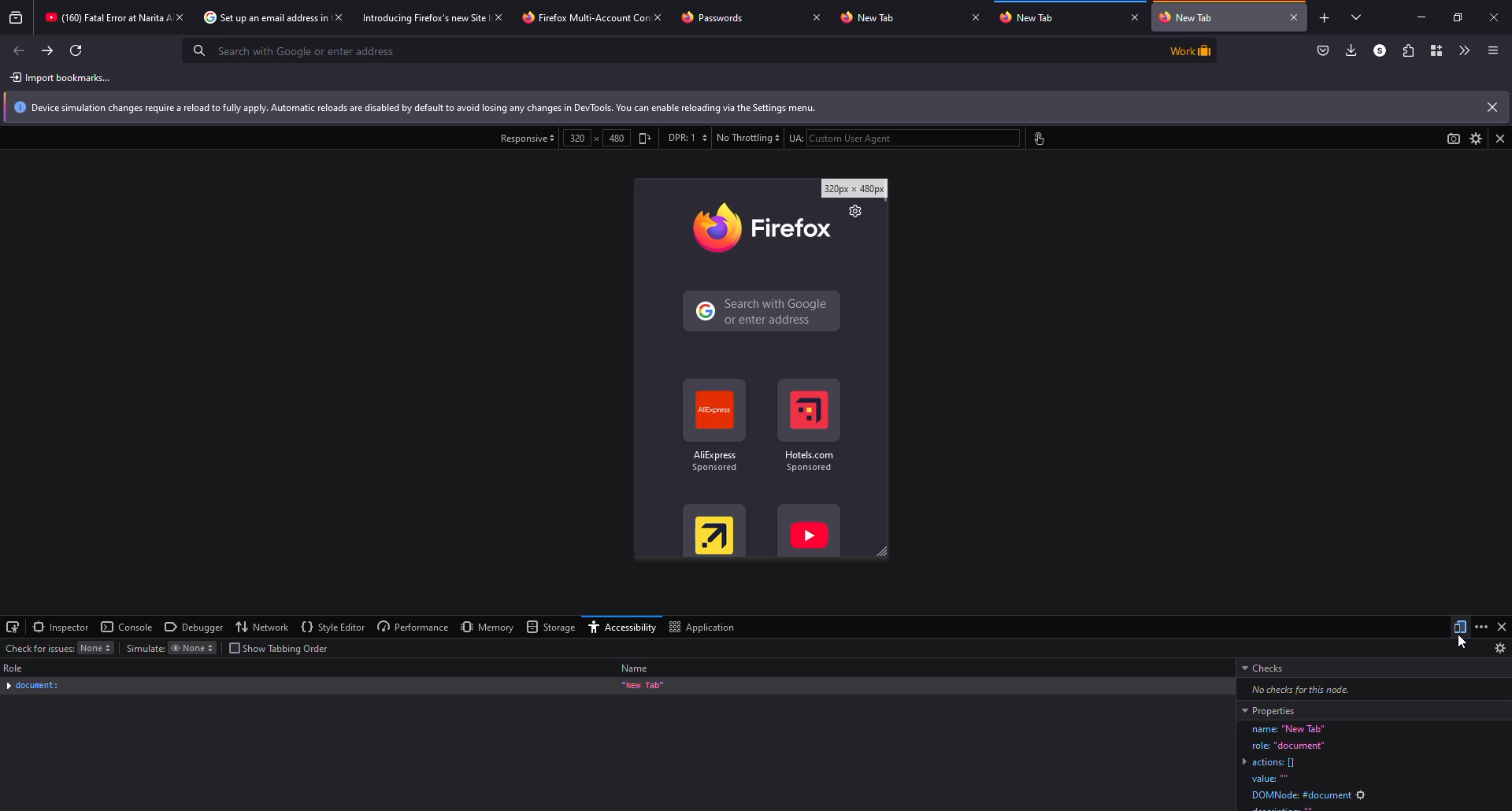  Describe the element at coordinates (497, 17) in the screenshot. I see `close` at that location.